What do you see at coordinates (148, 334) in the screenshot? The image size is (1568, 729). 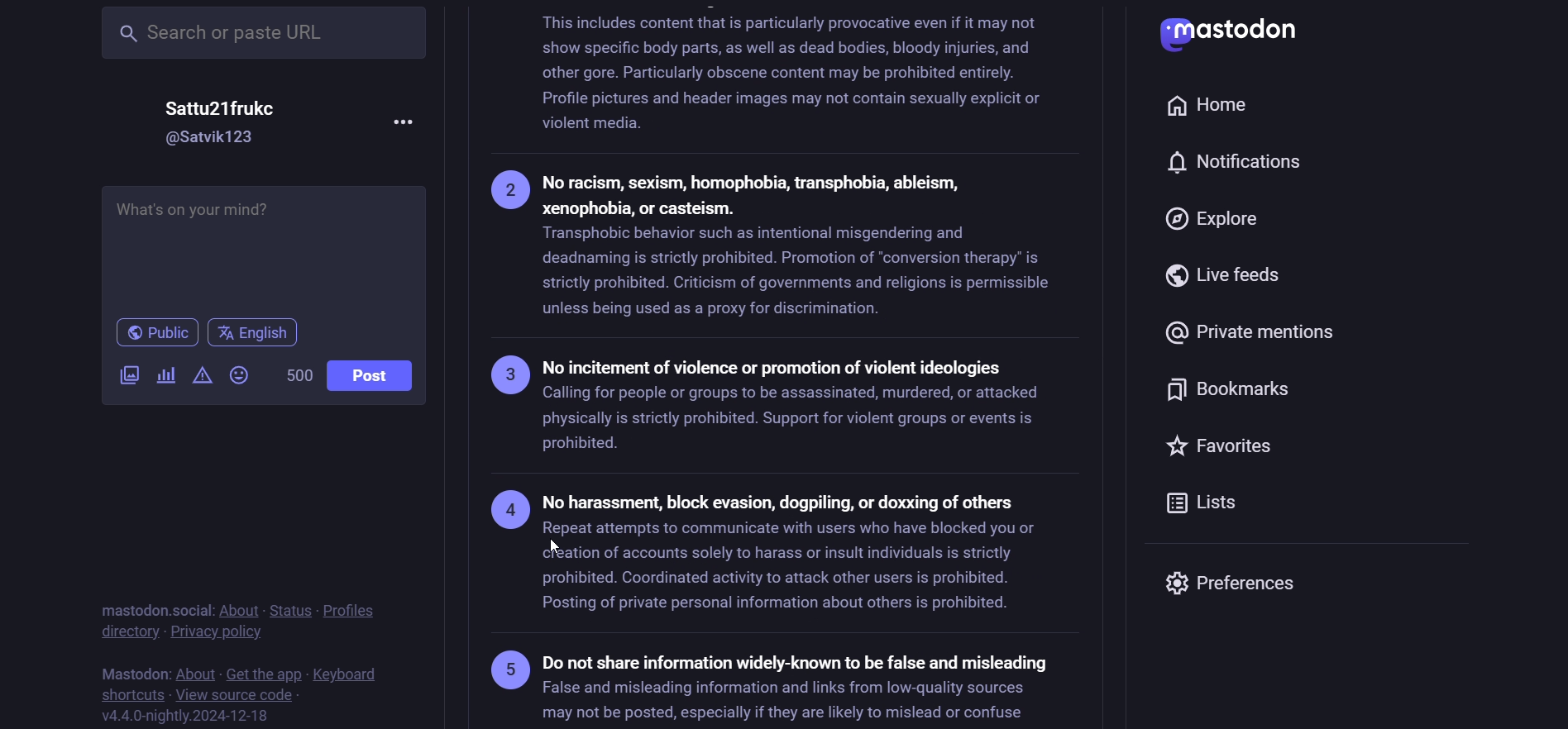 I see `public` at bounding box center [148, 334].